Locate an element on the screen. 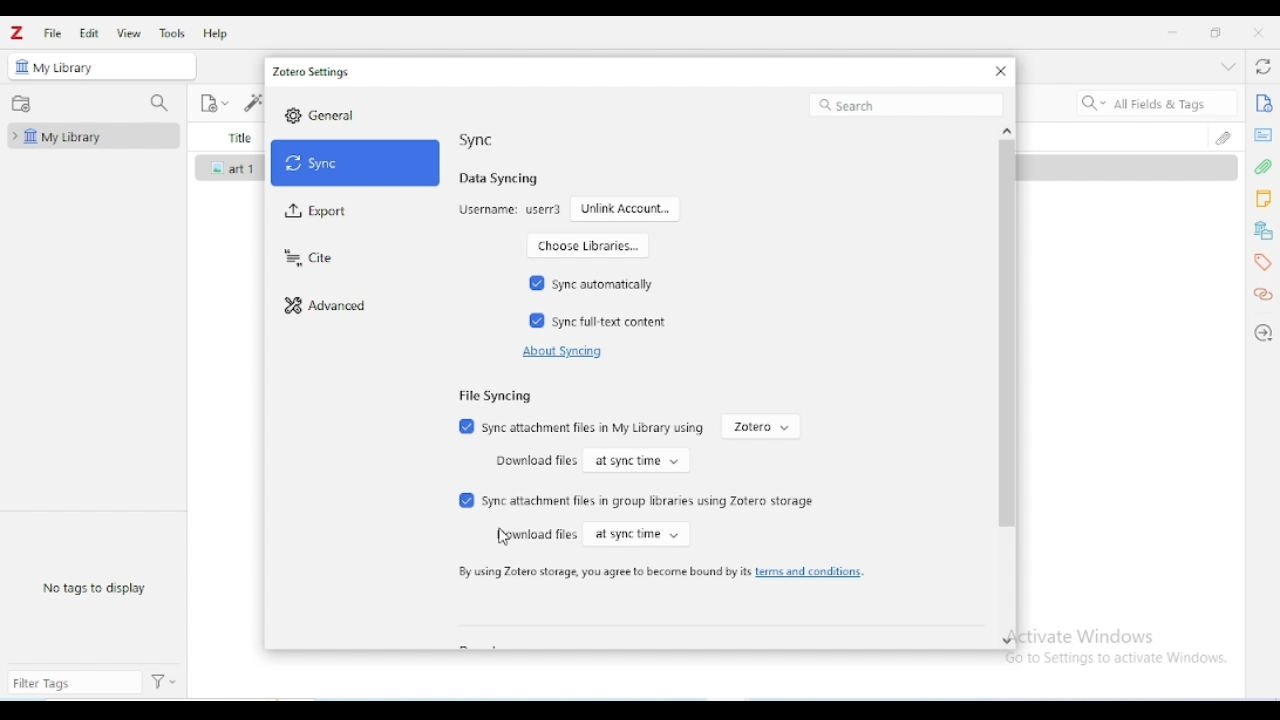 The height and width of the screenshot is (720, 1280). data syncing is located at coordinates (499, 178).